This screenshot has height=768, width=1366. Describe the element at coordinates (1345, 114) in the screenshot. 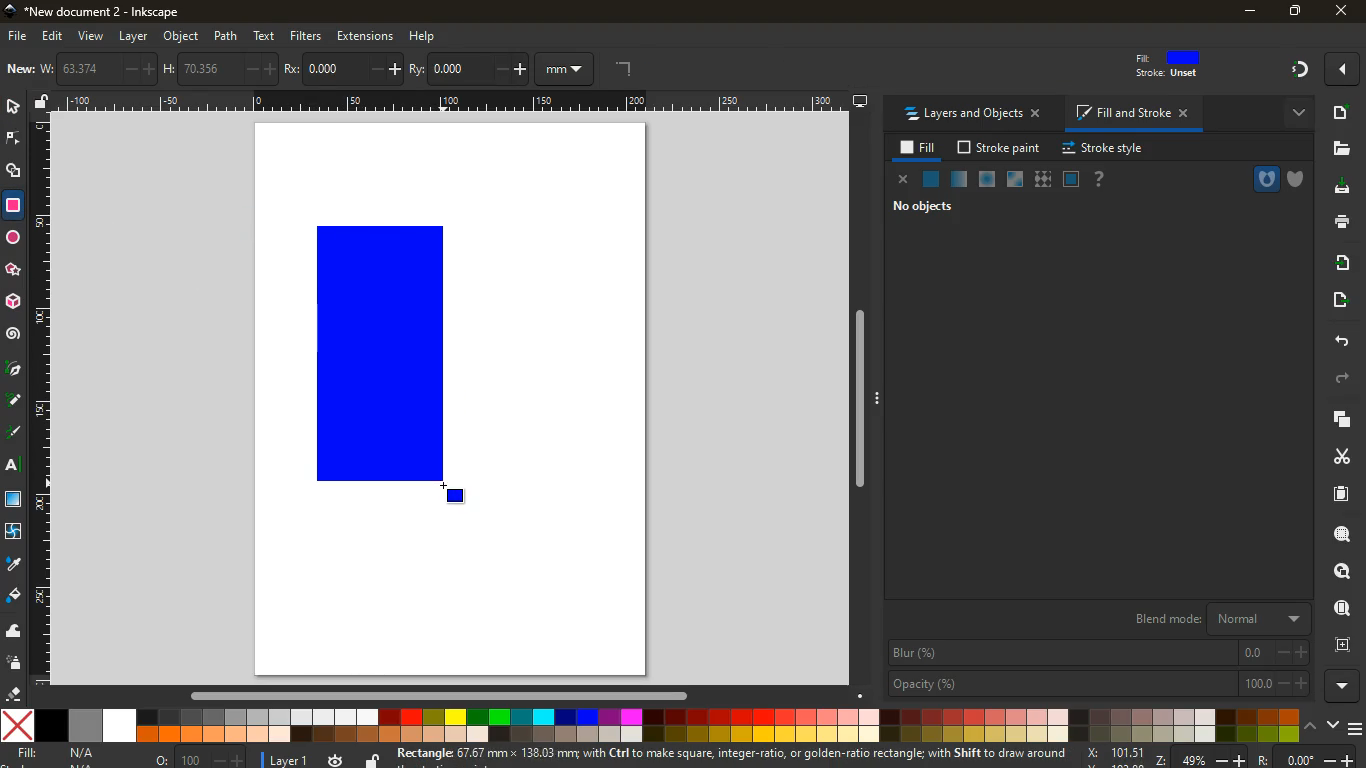

I see `new` at that location.